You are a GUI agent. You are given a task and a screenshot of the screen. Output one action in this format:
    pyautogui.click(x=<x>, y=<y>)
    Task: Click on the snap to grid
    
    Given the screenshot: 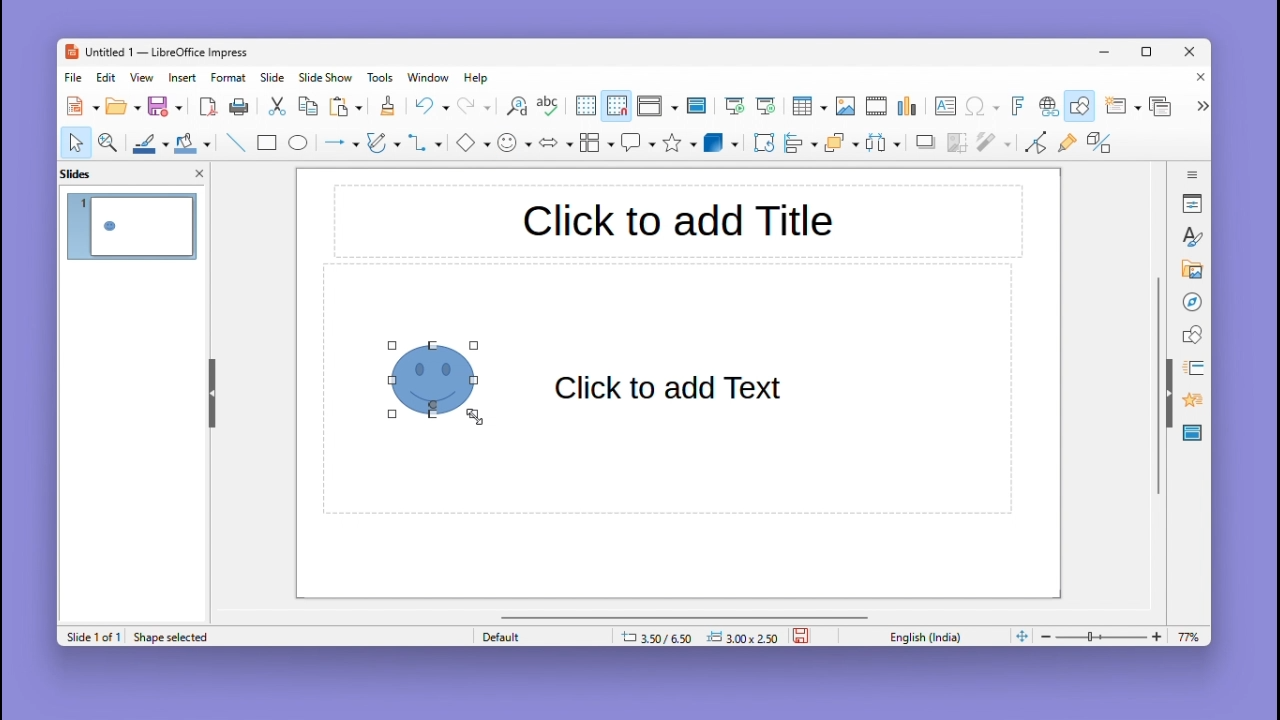 What is the action you would take?
    pyautogui.click(x=616, y=106)
    